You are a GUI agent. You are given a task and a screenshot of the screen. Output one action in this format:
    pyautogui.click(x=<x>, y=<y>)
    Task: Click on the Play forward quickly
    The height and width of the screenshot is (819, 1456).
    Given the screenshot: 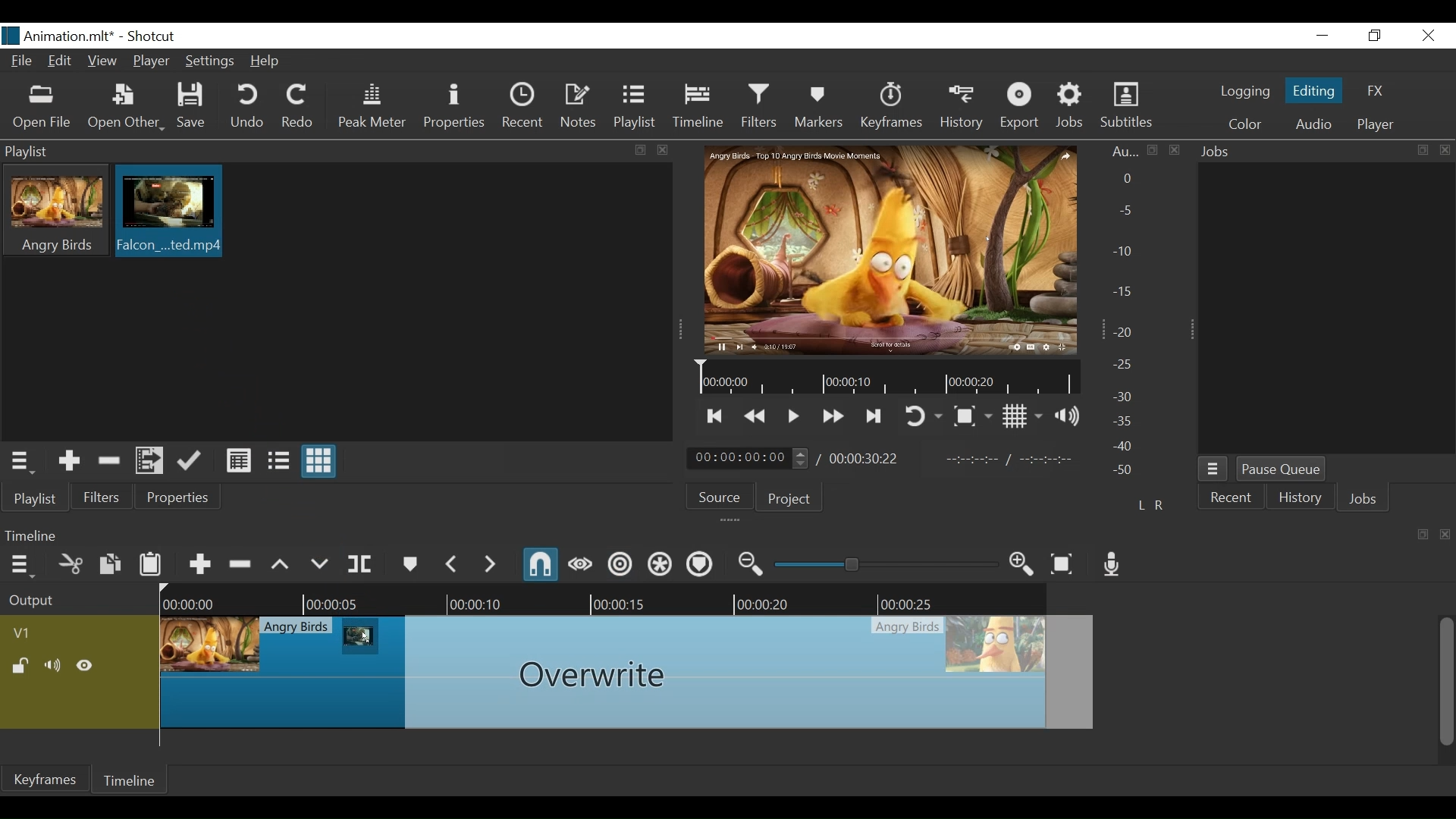 What is the action you would take?
    pyautogui.click(x=833, y=417)
    